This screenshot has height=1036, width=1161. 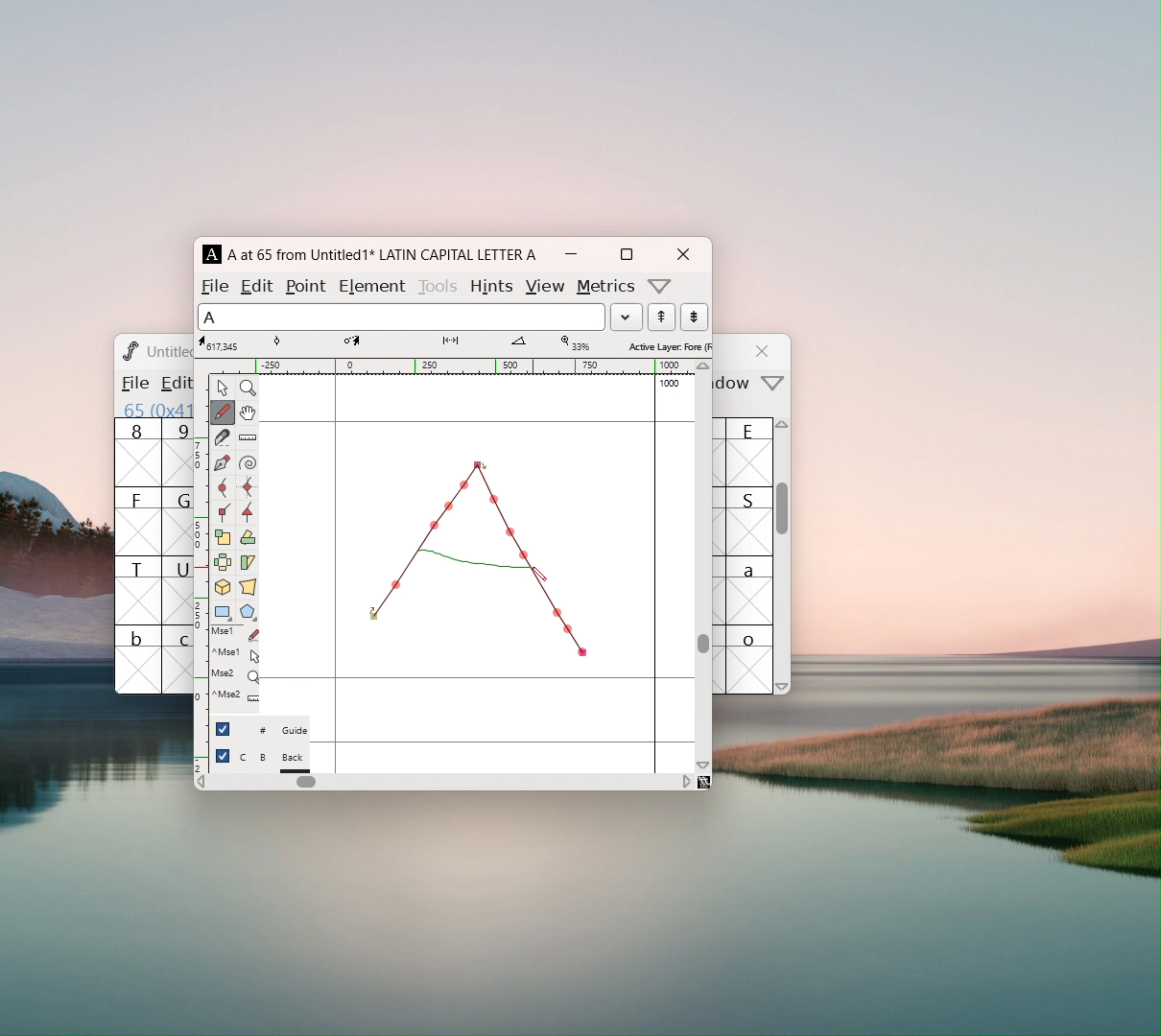 What do you see at coordinates (137, 453) in the screenshot?
I see `8` at bounding box center [137, 453].